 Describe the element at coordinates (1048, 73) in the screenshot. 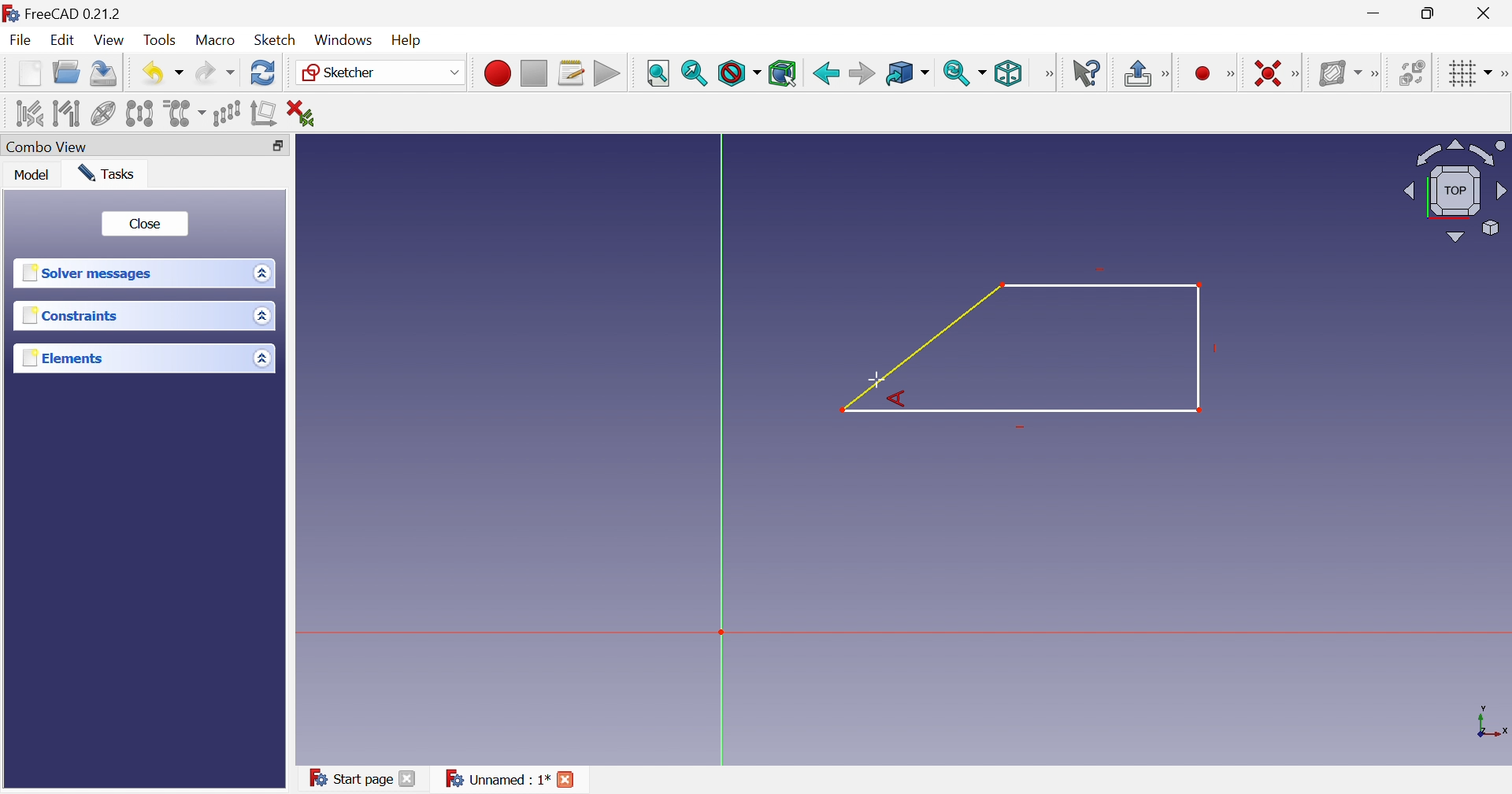

I see `More` at that location.